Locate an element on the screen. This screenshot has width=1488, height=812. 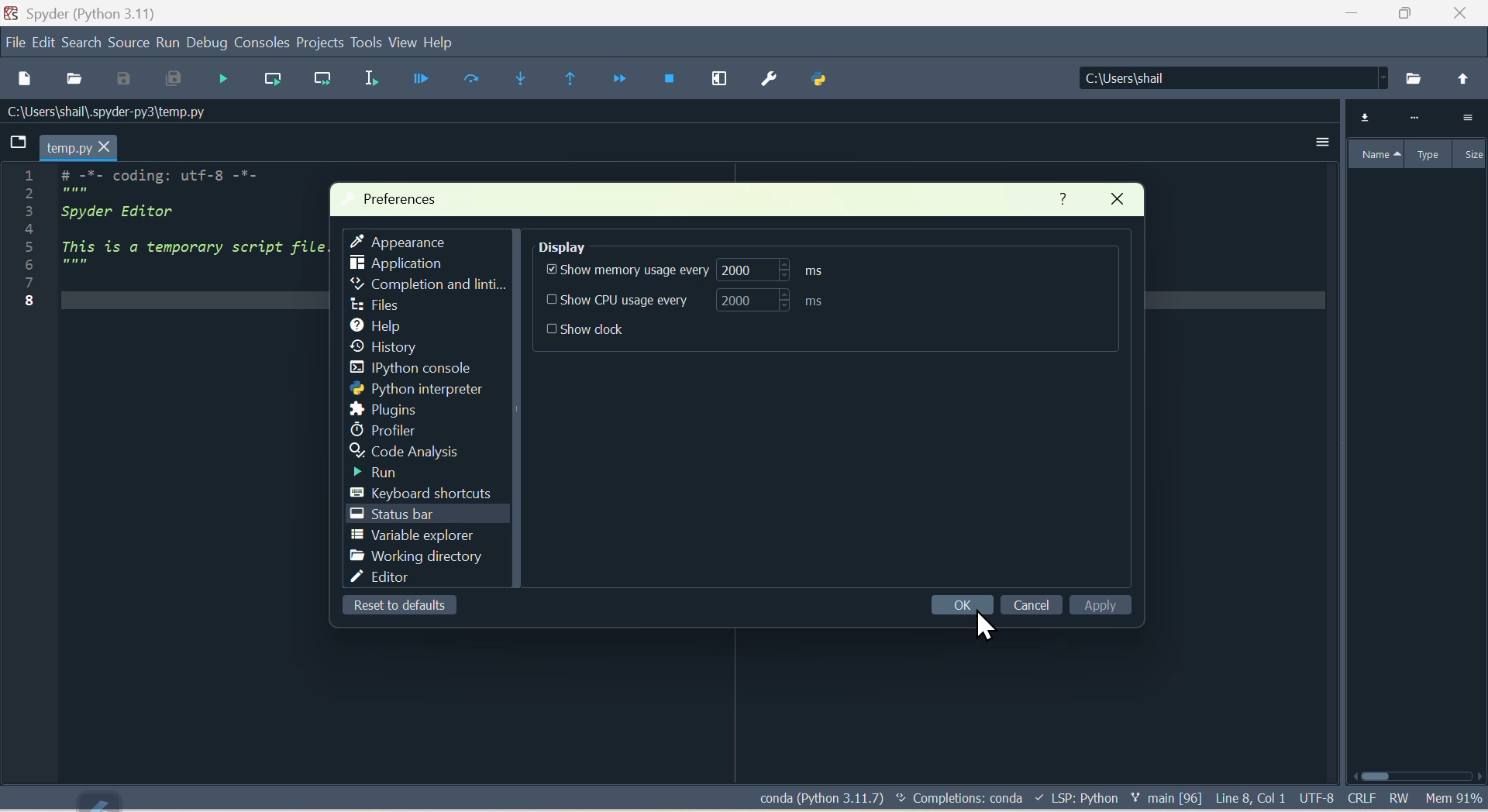
Reset to default is located at coordinates (412, 609).